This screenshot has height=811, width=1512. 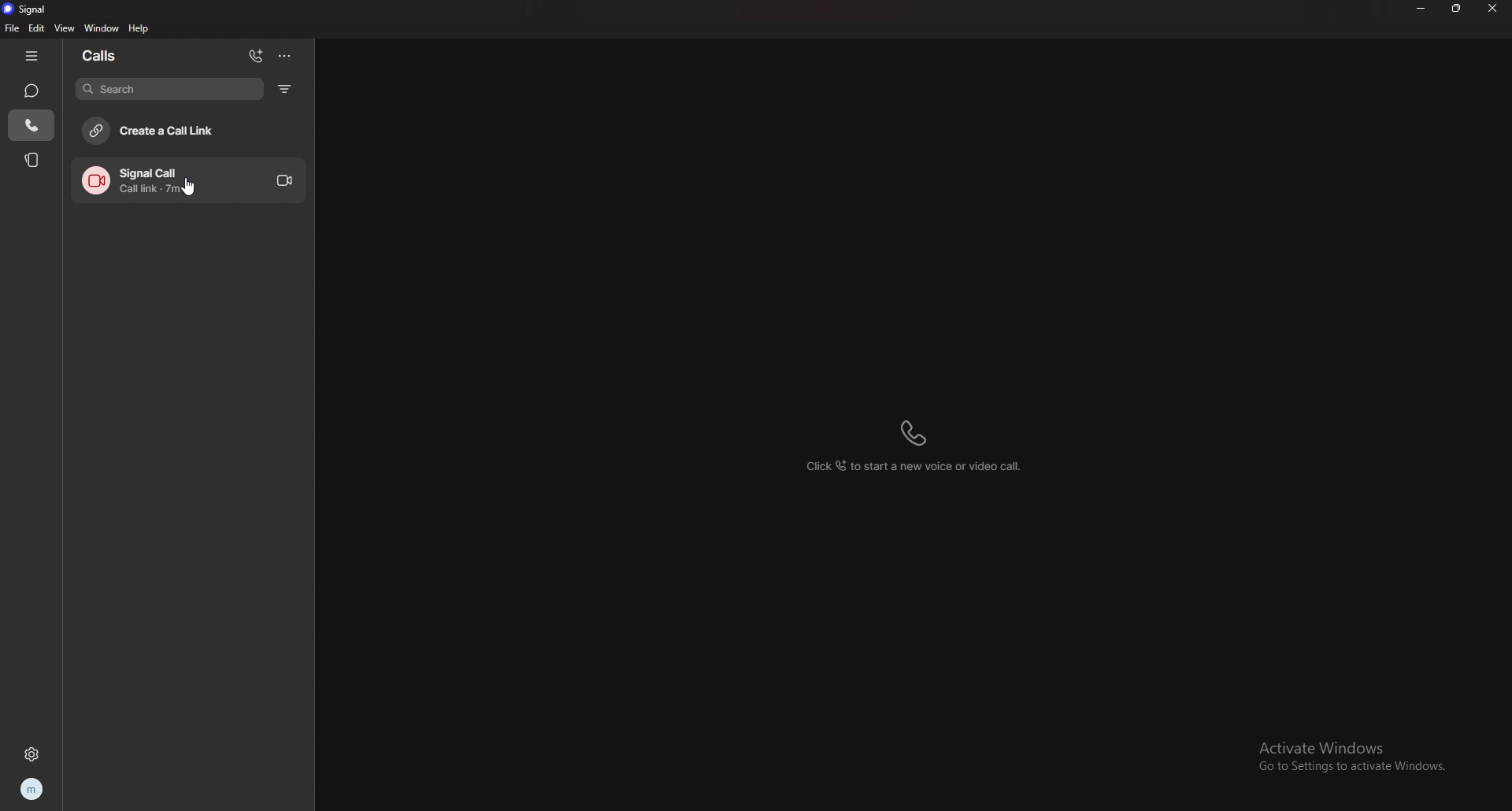 What do you see at coordinates (37, 28) in the screenshot?
I see `edit` at bounding box center [37, 28].